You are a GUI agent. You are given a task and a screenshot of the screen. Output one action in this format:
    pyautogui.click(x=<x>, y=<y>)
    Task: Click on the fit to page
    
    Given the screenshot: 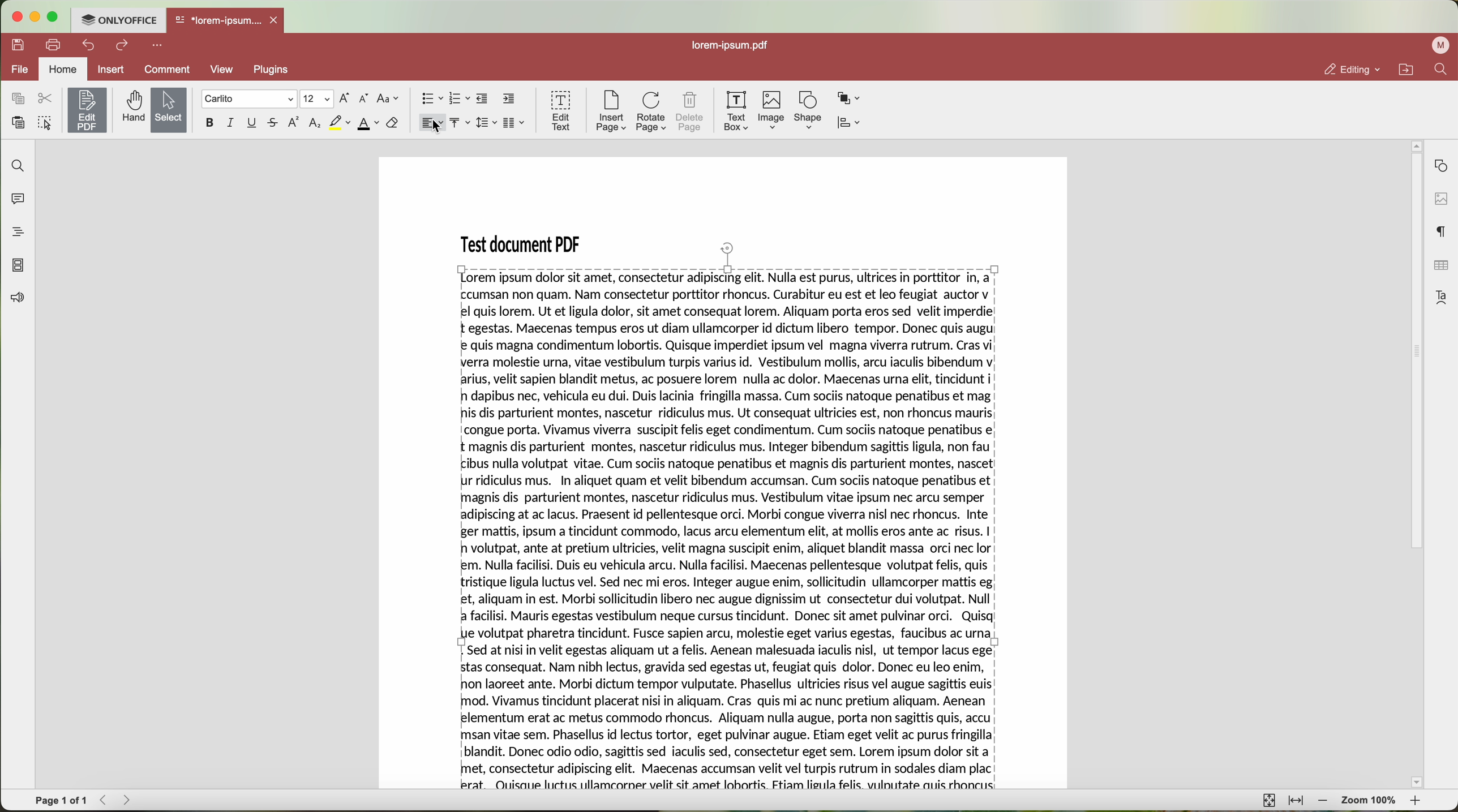 What is the action you would take?
    pyautogui.click(x=1268, y=801)
    